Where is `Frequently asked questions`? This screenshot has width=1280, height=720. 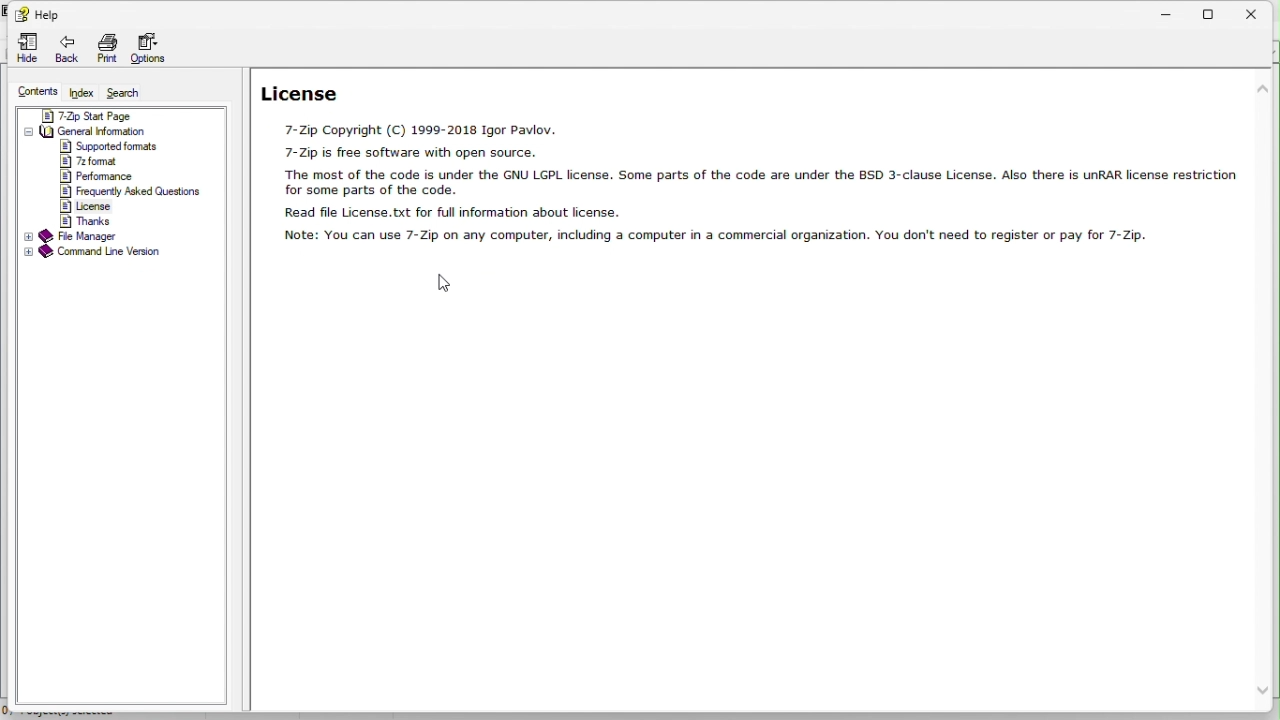 Frequently asked questions is located at coordinates (131, 192).